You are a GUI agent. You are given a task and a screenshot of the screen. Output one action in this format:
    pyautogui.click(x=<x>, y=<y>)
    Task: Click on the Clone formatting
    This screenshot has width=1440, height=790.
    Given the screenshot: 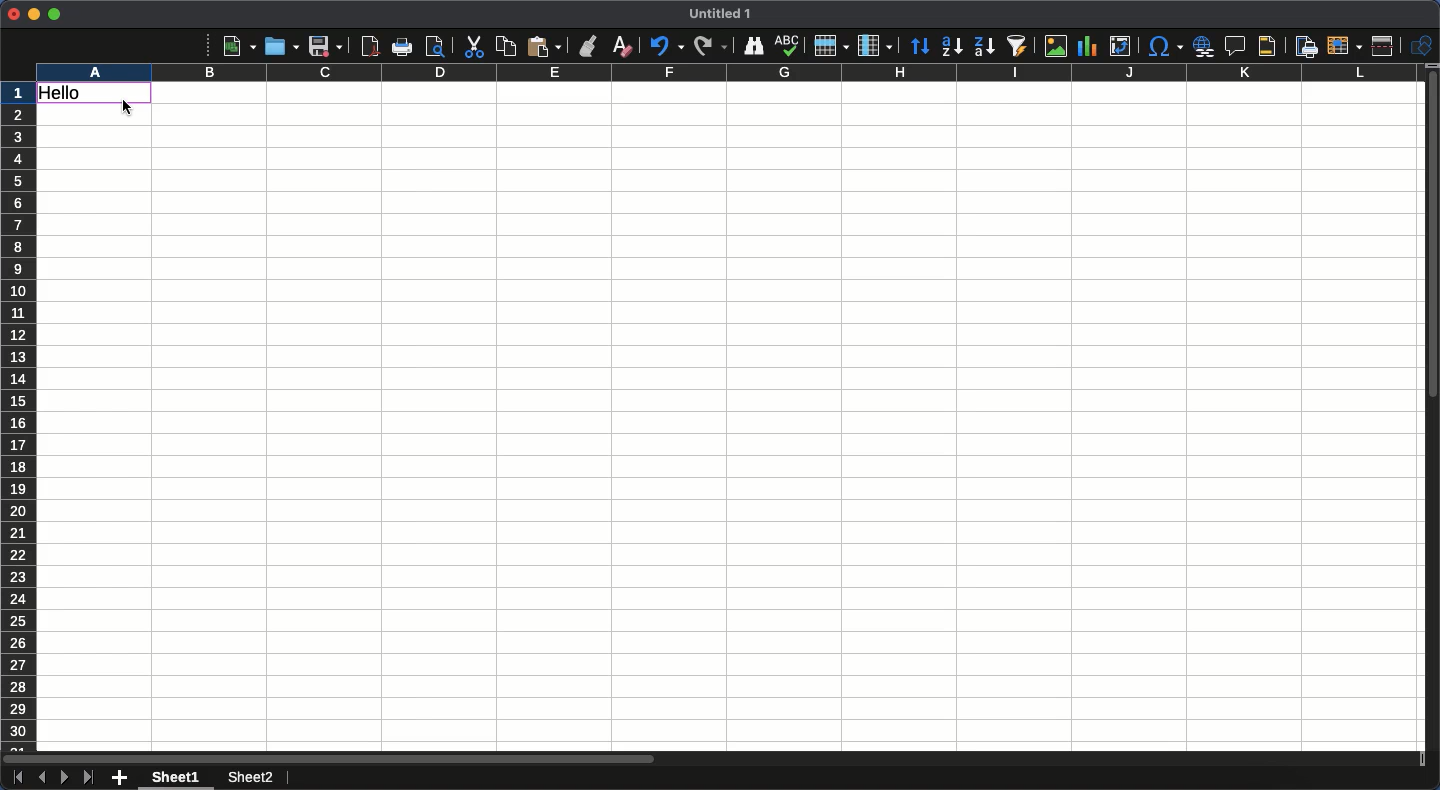 What is the action you would take?
    pyautogui.click(x=589, y=46)
    